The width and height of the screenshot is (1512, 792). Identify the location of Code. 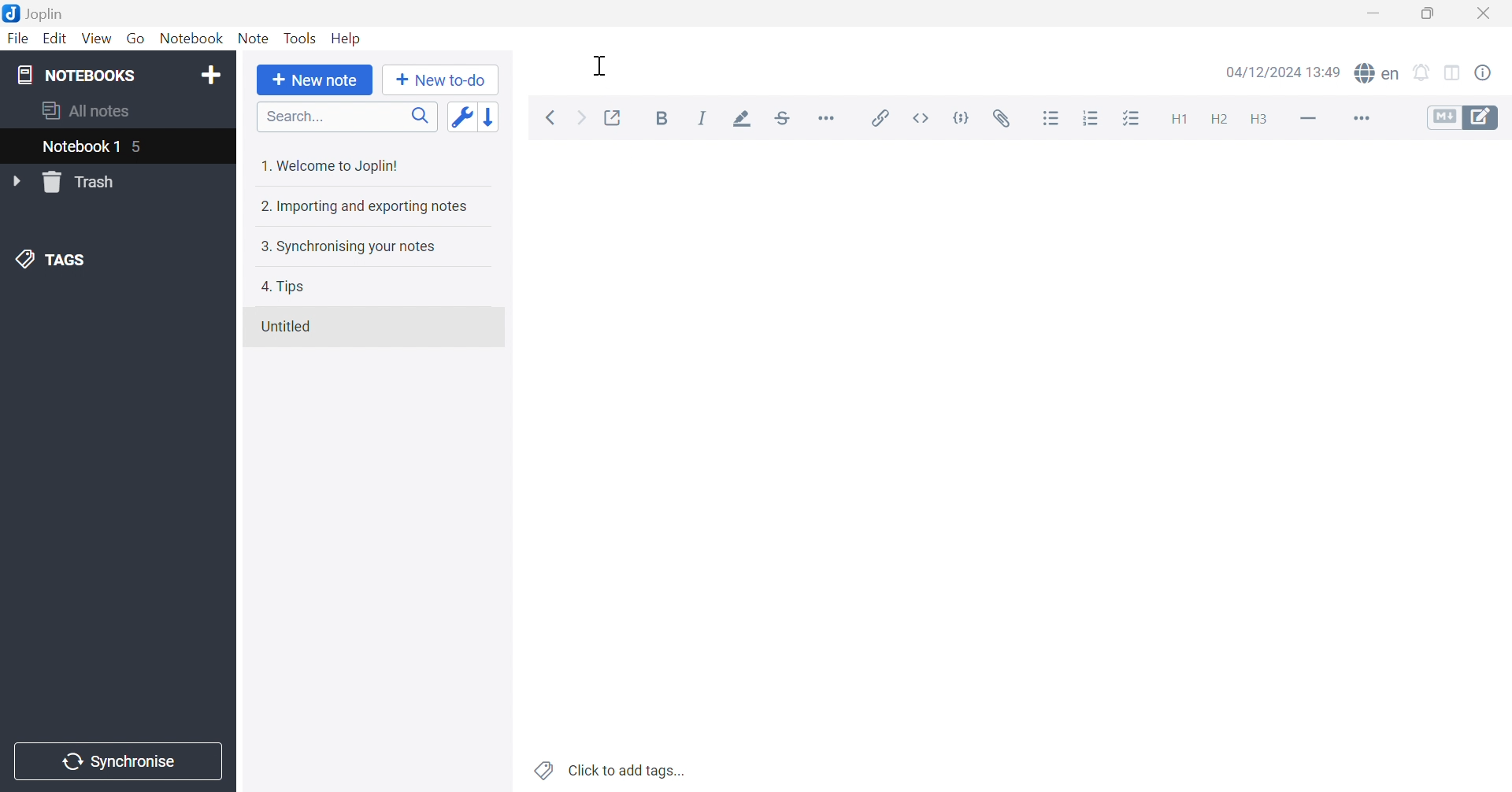
(965, 117).